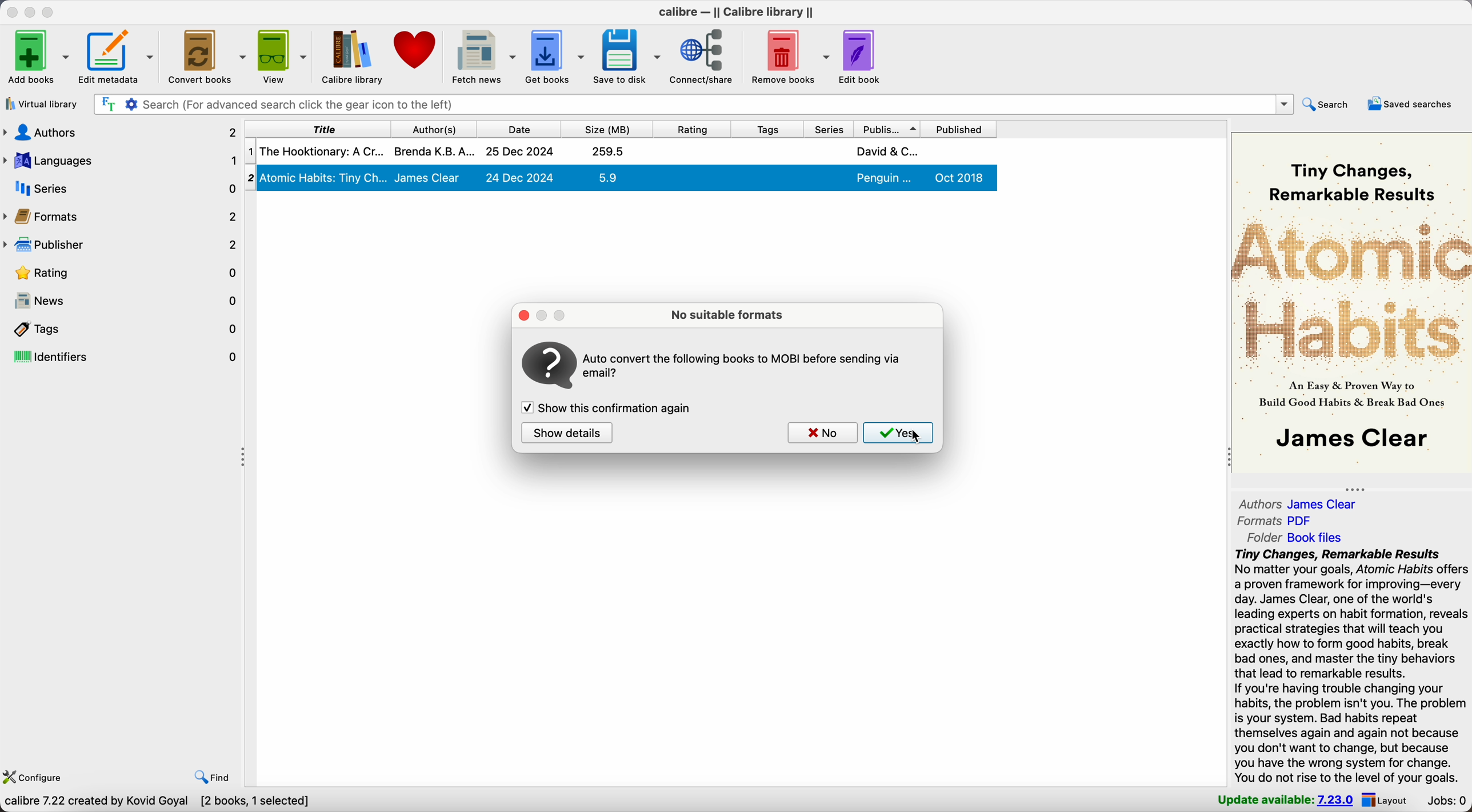  Describe the element at coordinates (122, 357) in the screenshot. I see `identifiers` at that location.